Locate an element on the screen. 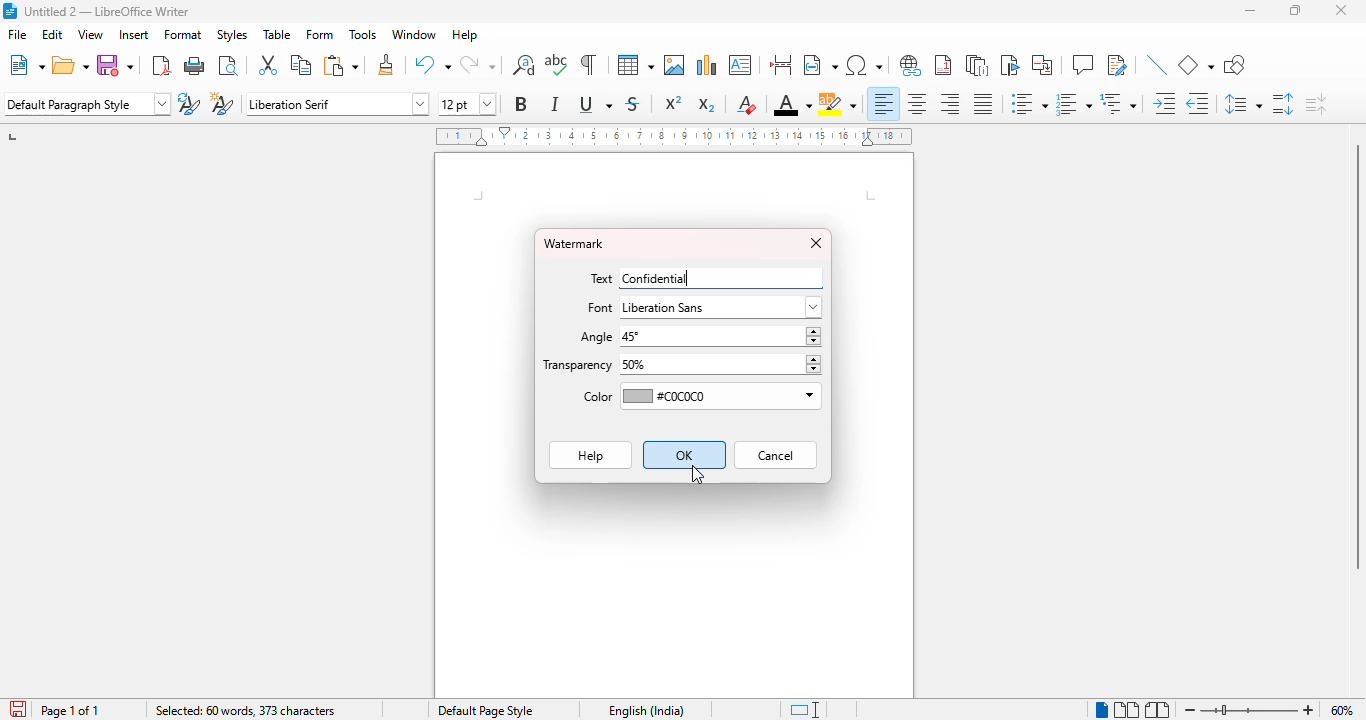  minimize is located at coordinates (1253, 11).